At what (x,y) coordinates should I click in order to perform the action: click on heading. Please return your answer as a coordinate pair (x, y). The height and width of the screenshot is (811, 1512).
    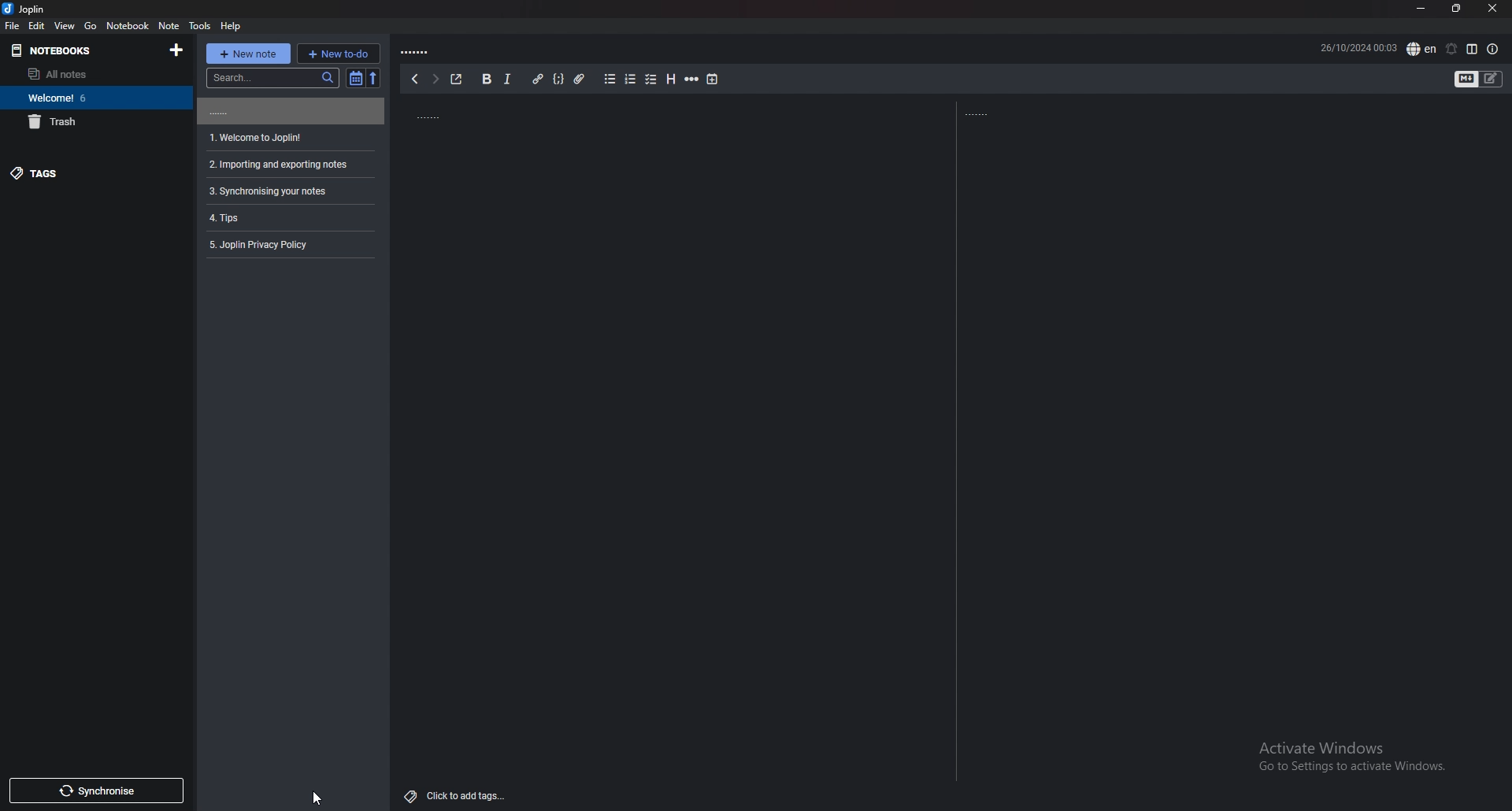
    Looking at the image, I should click on (673, 79).